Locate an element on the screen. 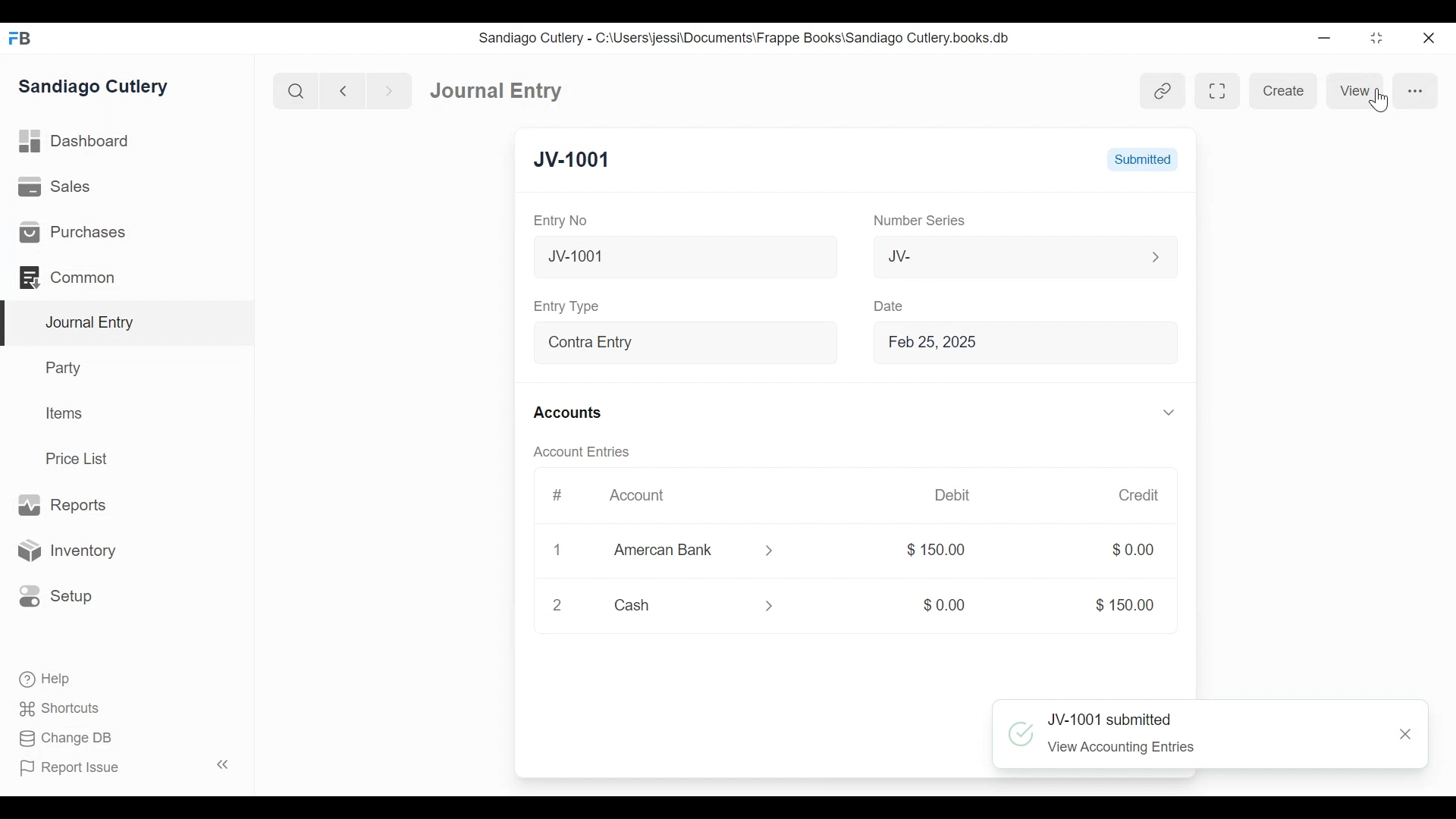  Debit is located at coordinates (947, 495).